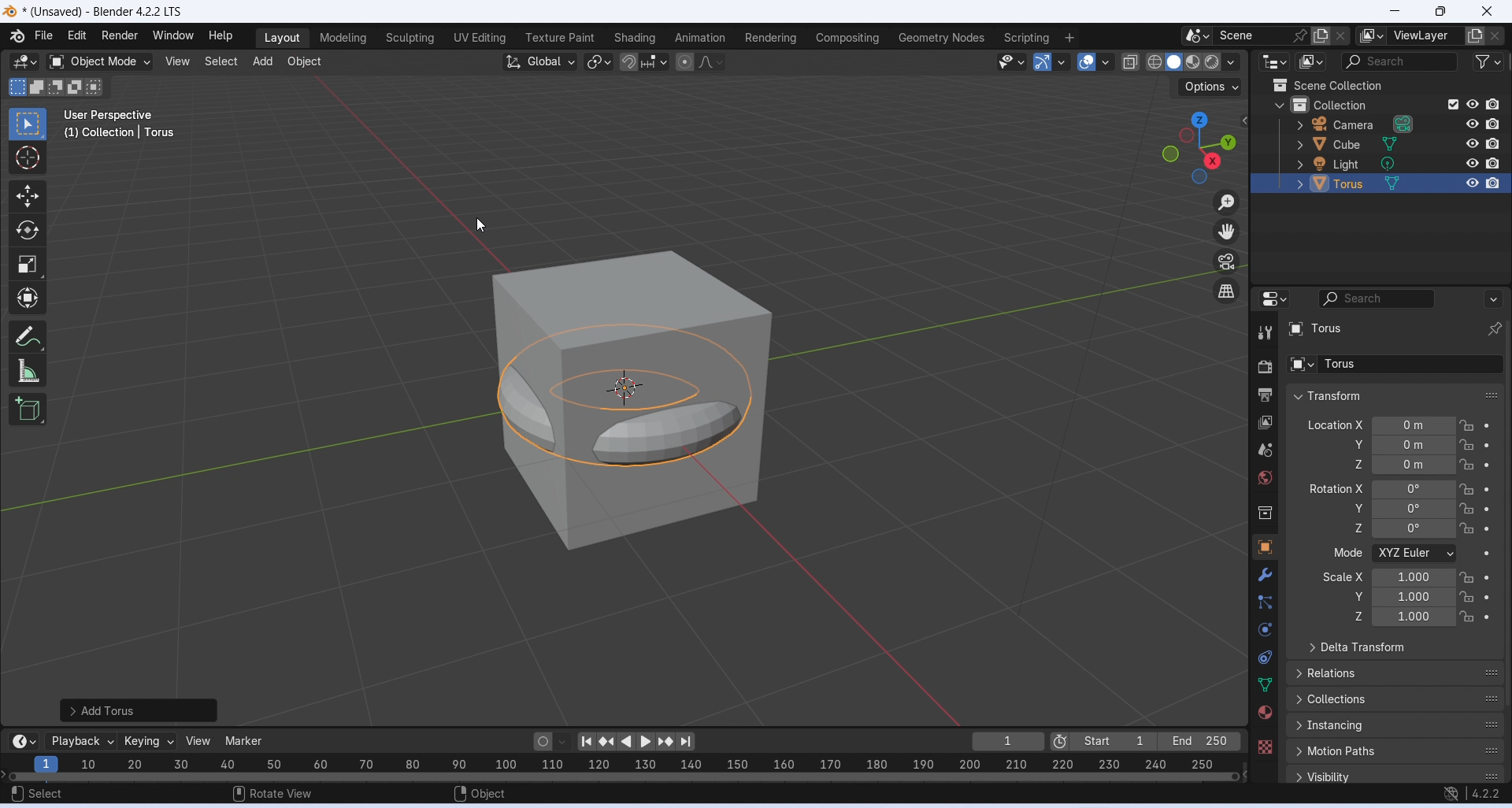 The height and width of the screenshot is (808, 1512). What do you see at coordinates (636, 764) in the screenshot?
I see `scale` at bounding box center [636, 764].